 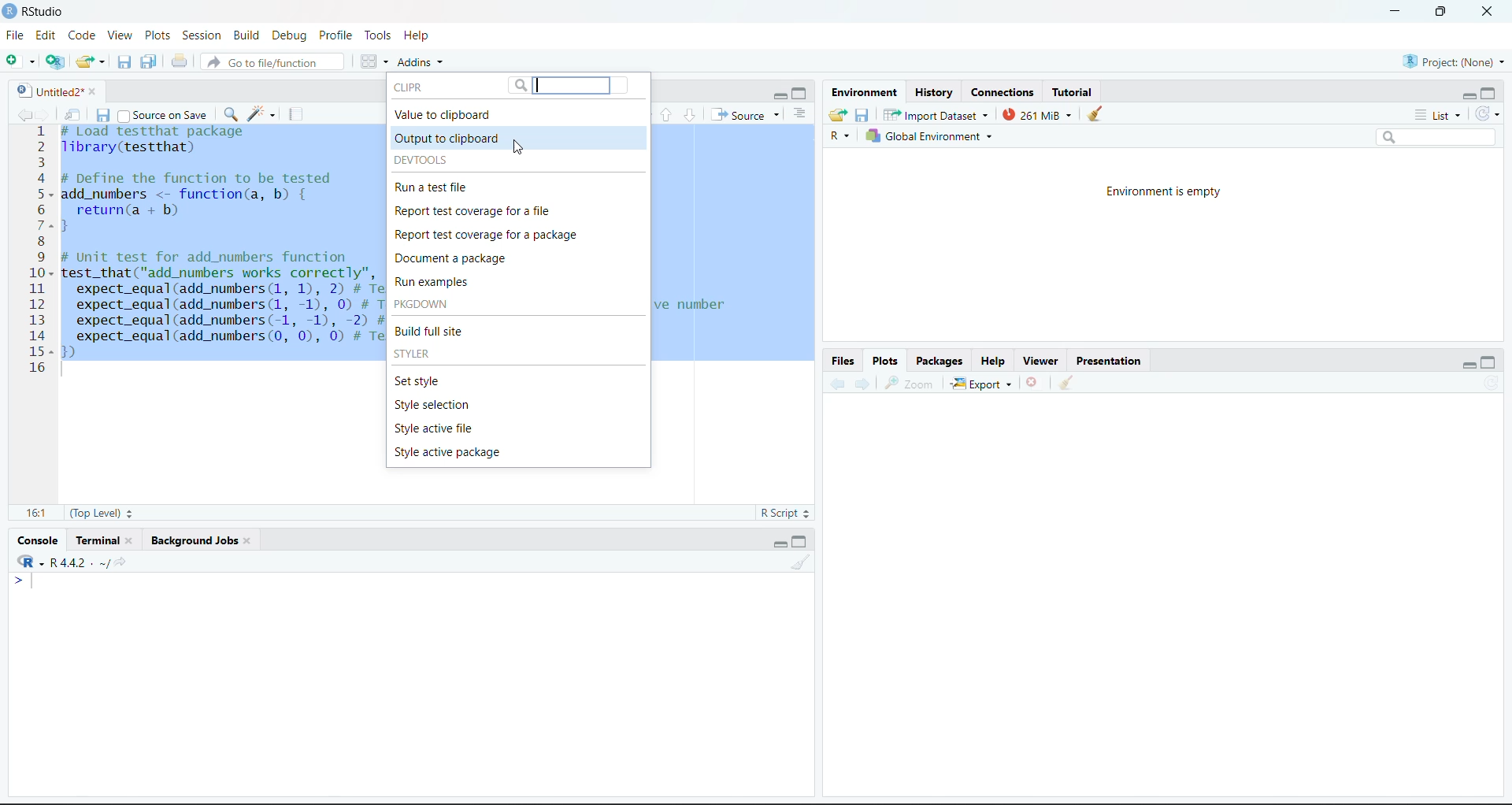 What do you see at coordinates (989, 361) in the screenshot?
I see `Help` at bounding box center [989, 361].